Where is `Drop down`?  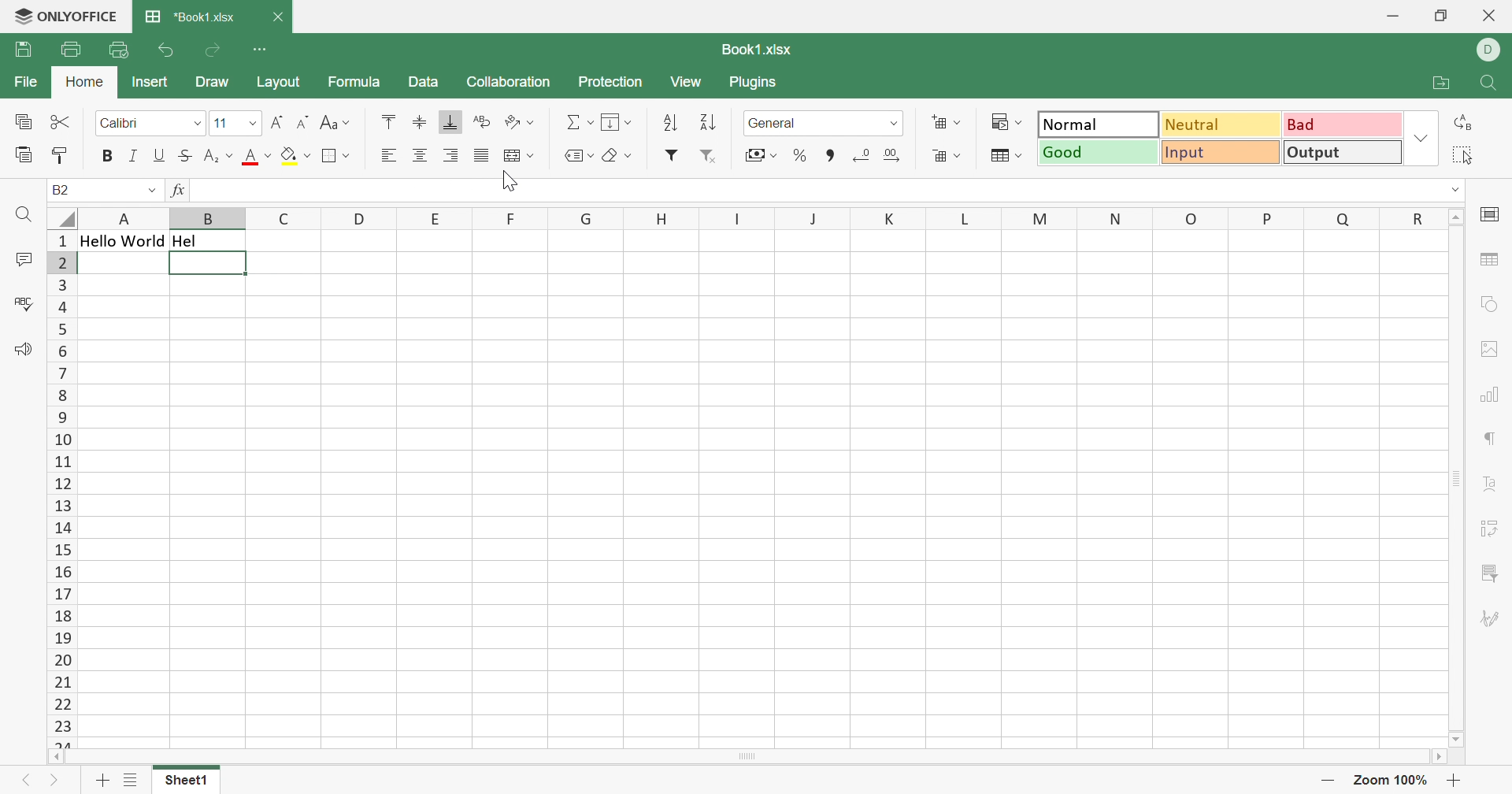 Drop down is located at coordinates (1423, 139).